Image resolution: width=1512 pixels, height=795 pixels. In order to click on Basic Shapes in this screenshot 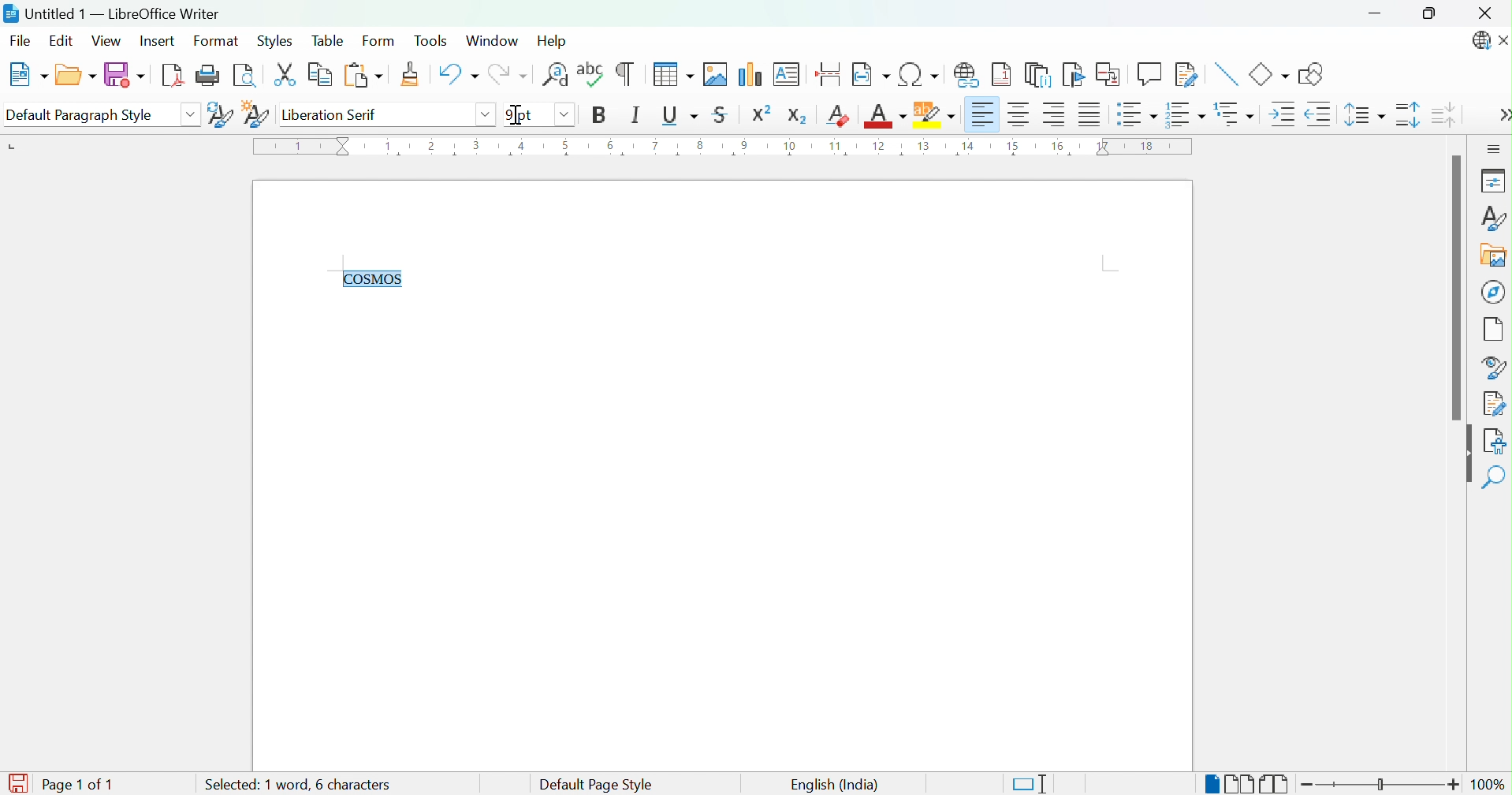, I will do `click(1268, 74)`.